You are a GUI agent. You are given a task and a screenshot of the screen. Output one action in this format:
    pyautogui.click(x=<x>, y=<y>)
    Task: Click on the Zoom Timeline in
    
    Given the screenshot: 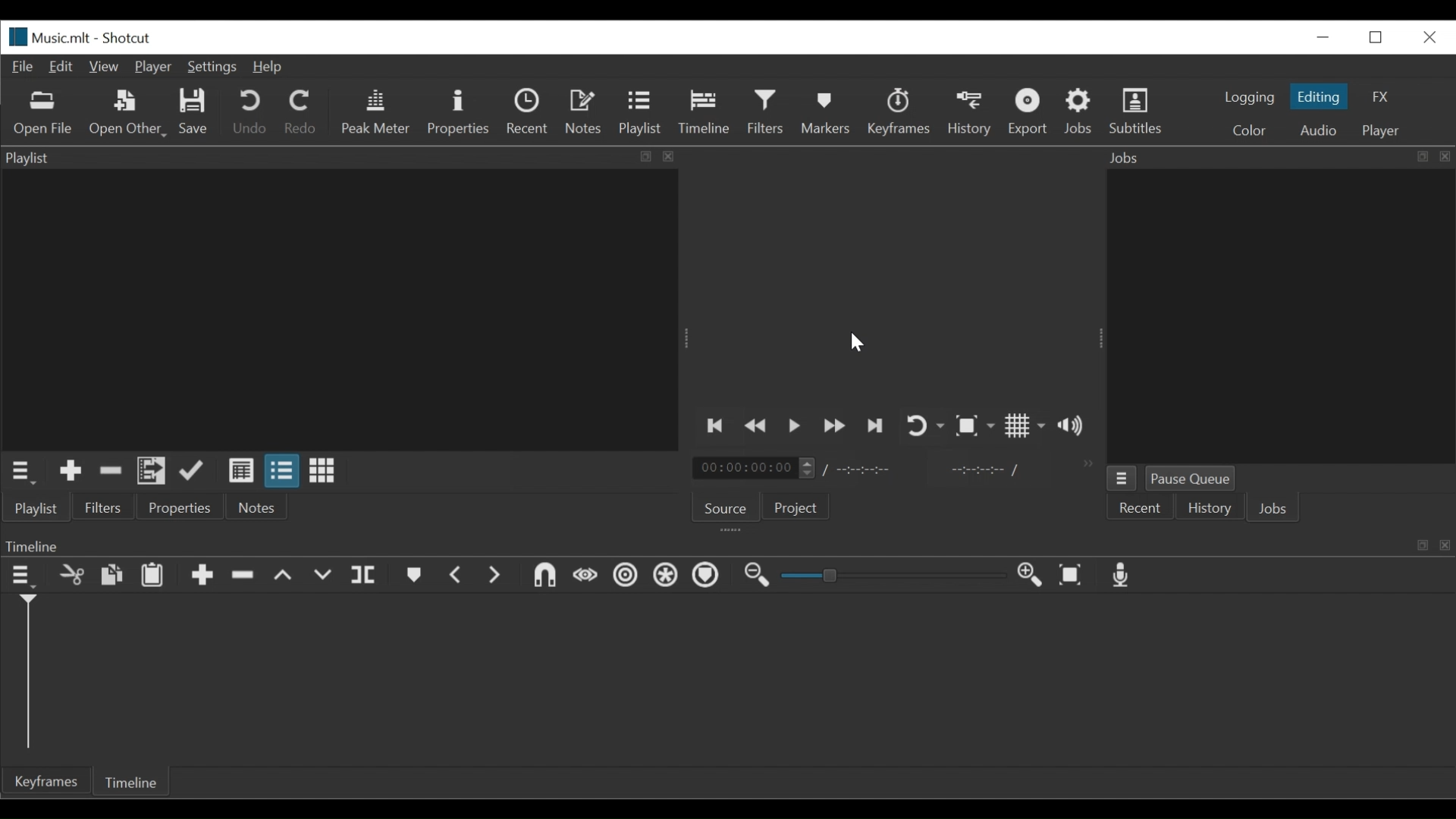 What is the action you would take?
    pyautogui.click(x=1034, y=576)
    